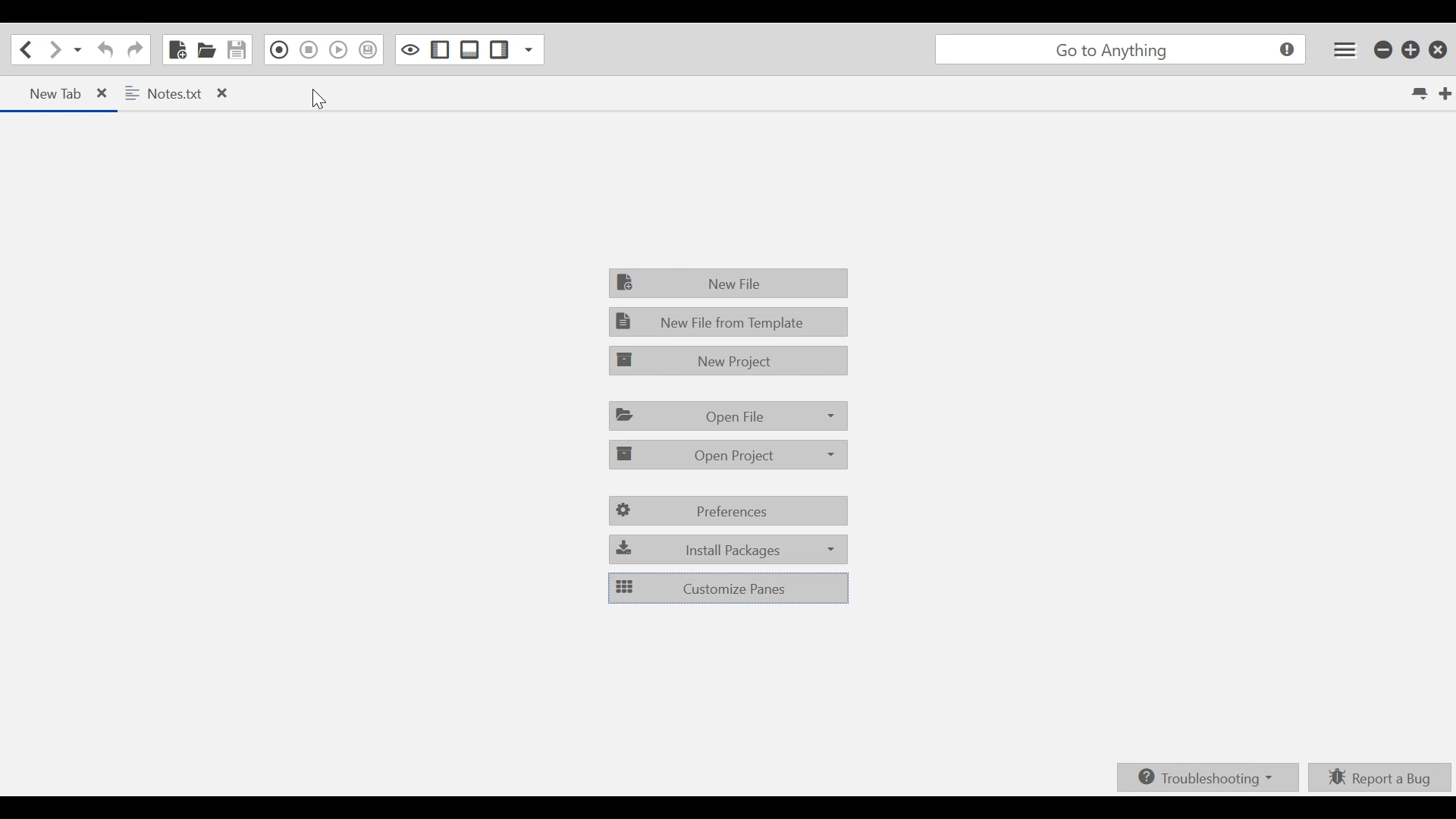 Image resolution: width=1456 pixels, height=819 pixels. What do you see at coordinates (442, 51) in the screenshot?
I see `Sow/Hide Left Pane` at bounding box center [442, 51].